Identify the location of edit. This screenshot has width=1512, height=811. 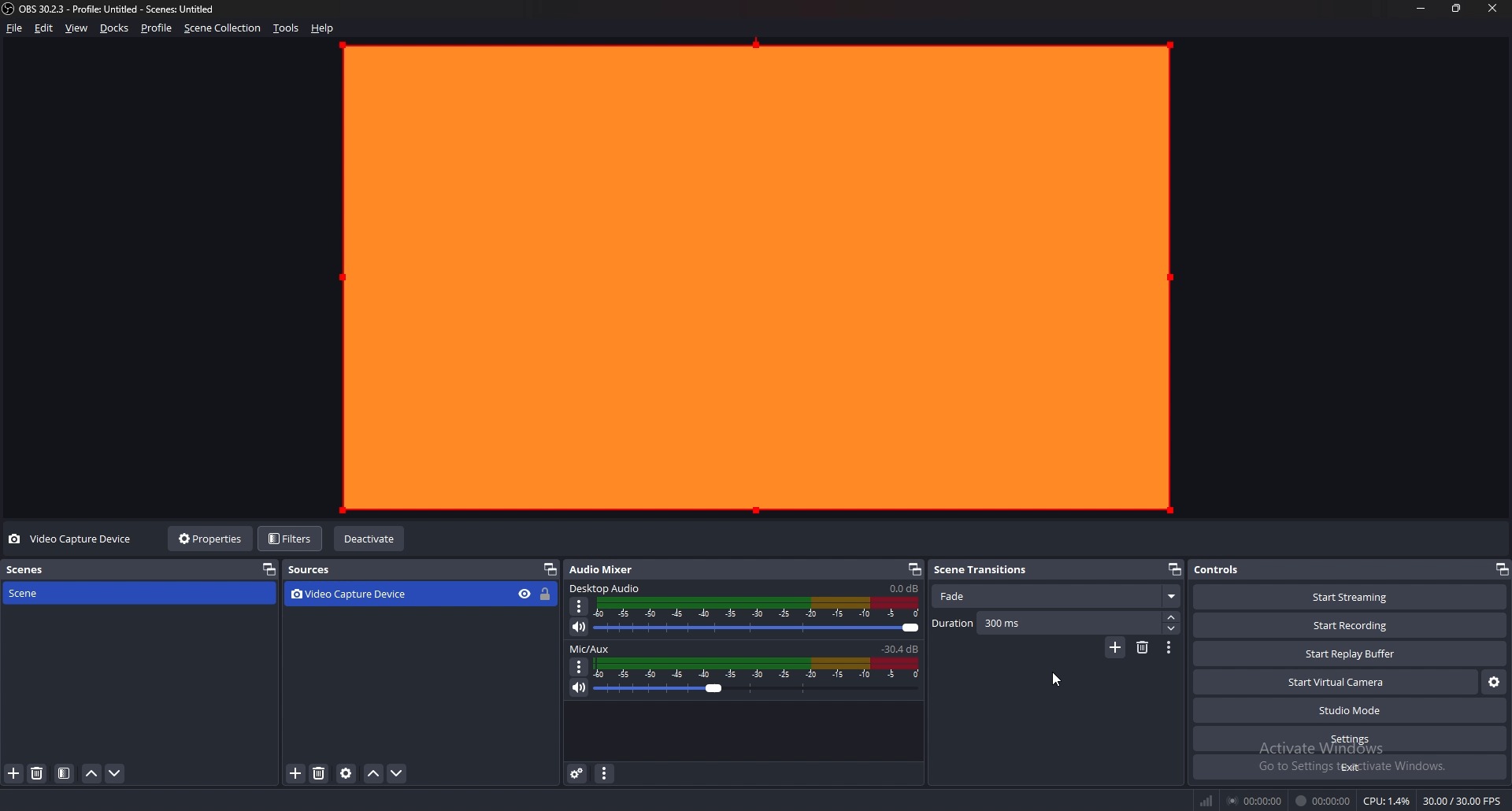
(44, 28).